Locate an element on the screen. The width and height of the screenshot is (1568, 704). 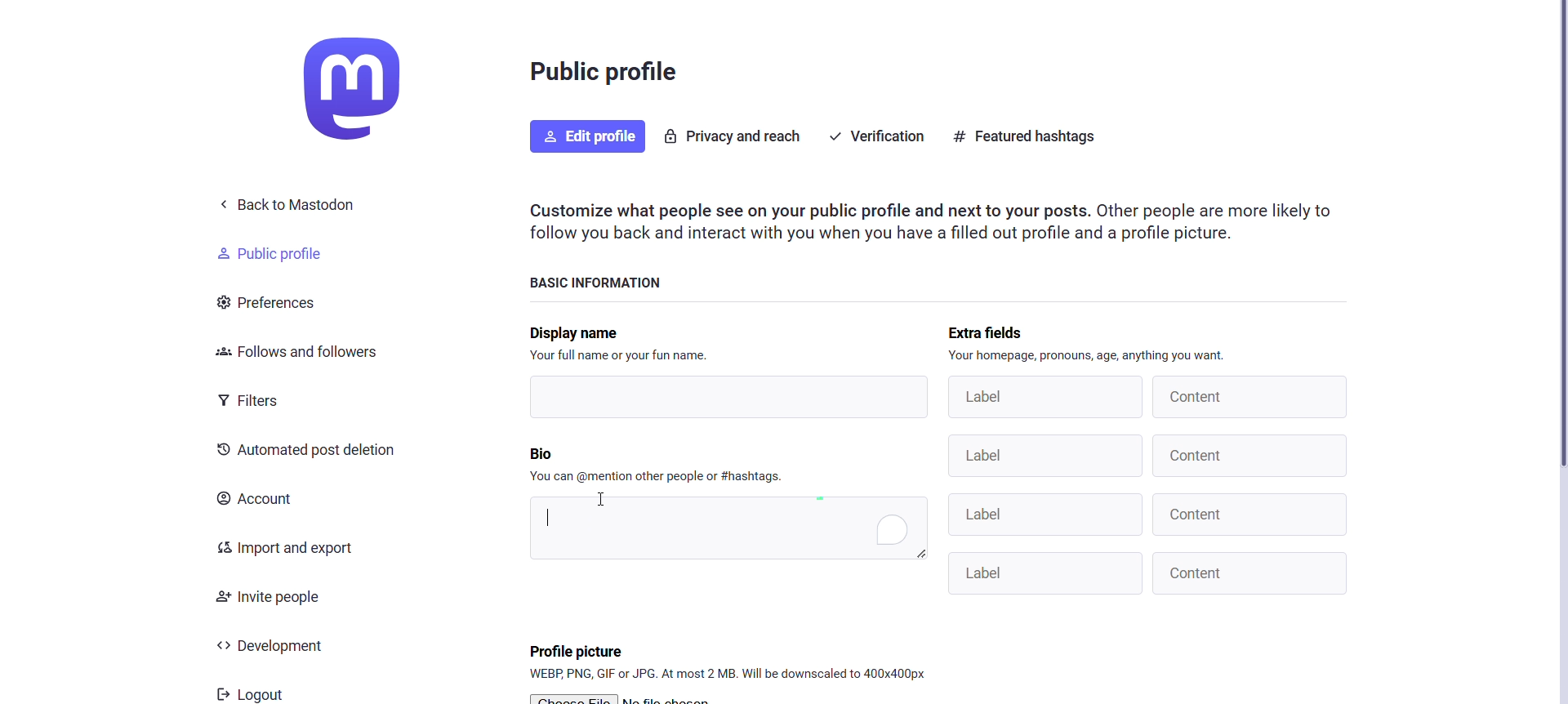
Filters is located at coordinates (257, 399).